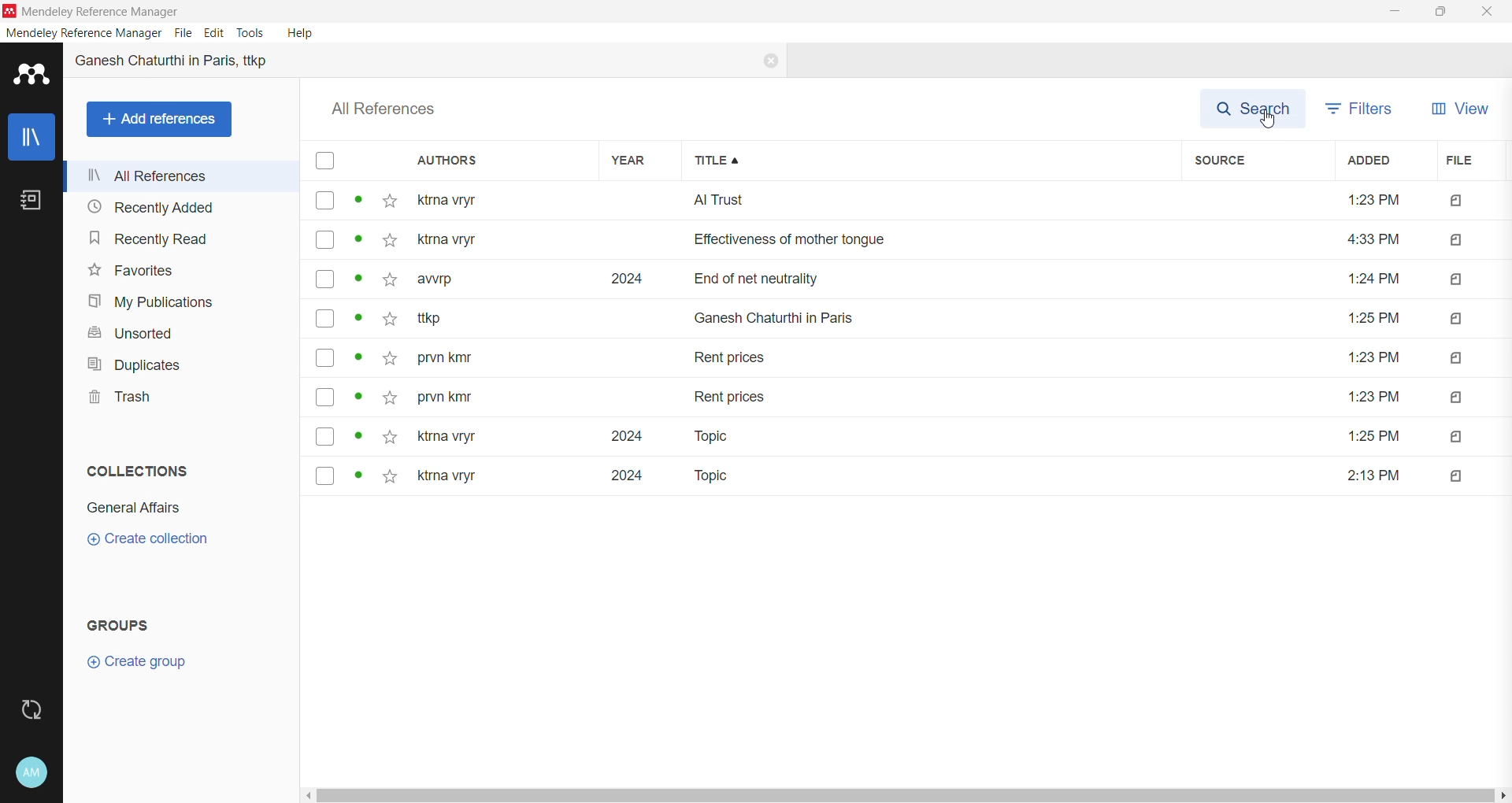 Image resolution: width=1512 pixels, height=803 pixels. What do you see at coordinates (499, 161) in the screenshot?
I see `Authors` at bounding box center [499, 161].